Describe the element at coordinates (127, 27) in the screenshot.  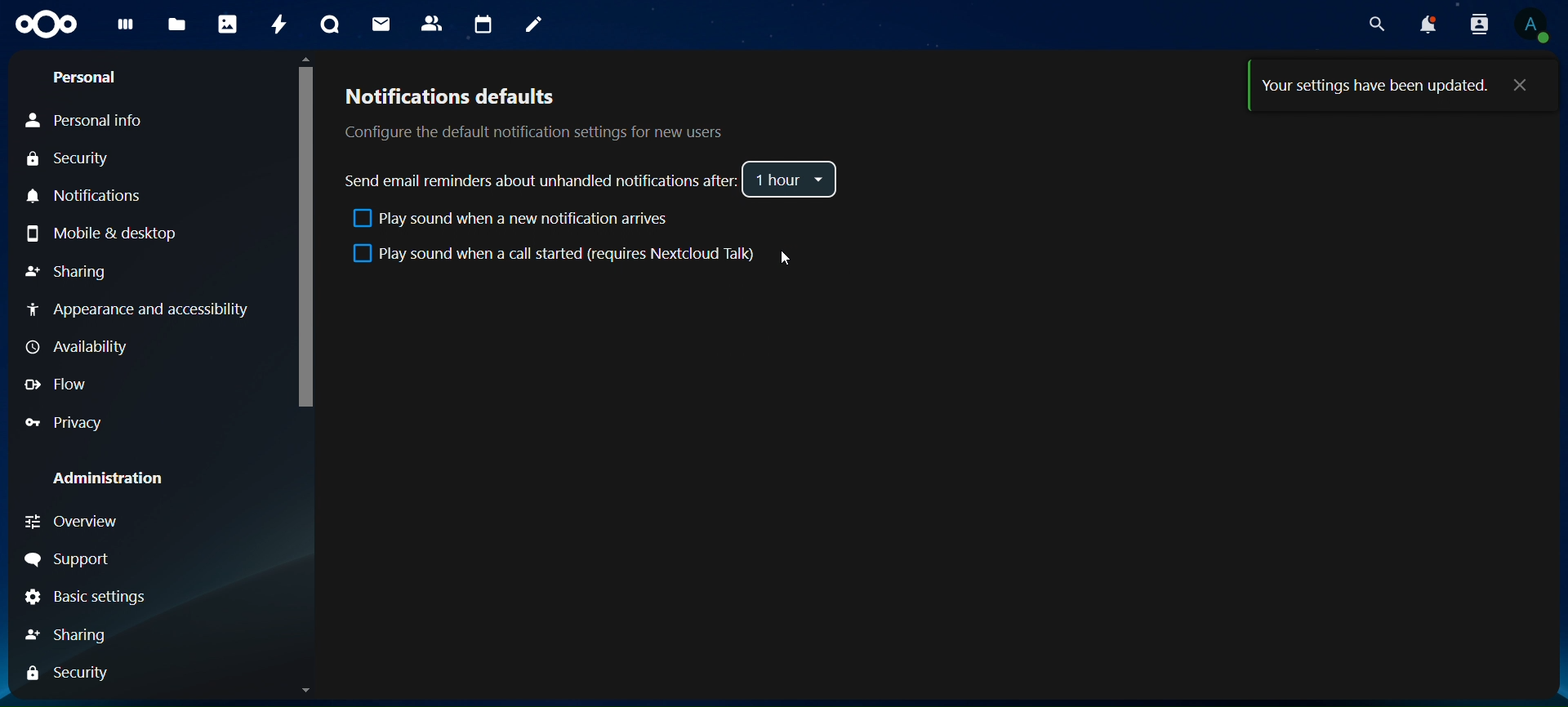
I see `dashboard` at that location.